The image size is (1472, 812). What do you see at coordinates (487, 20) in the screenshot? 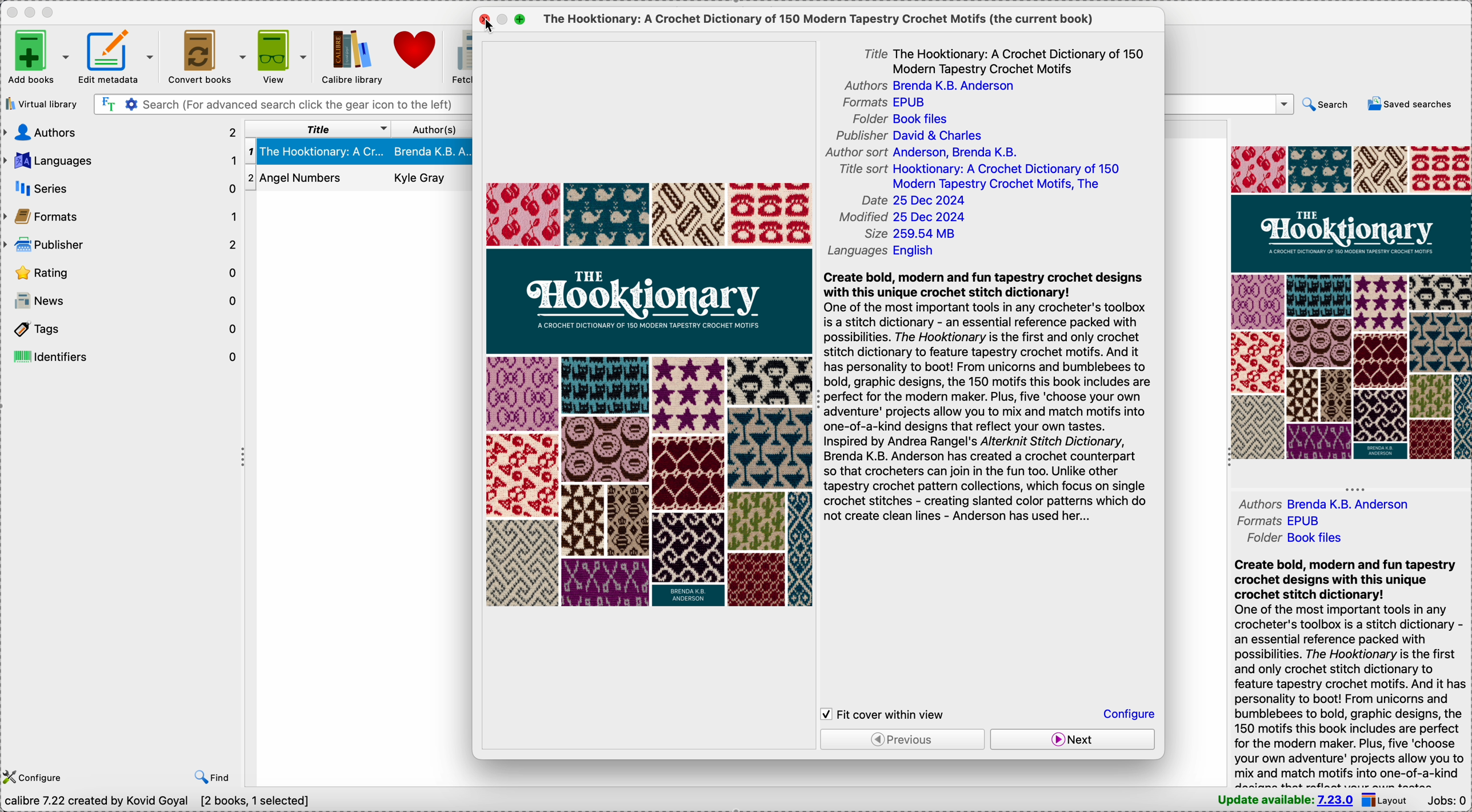
I see `click close` at bounding box center [487, 20].